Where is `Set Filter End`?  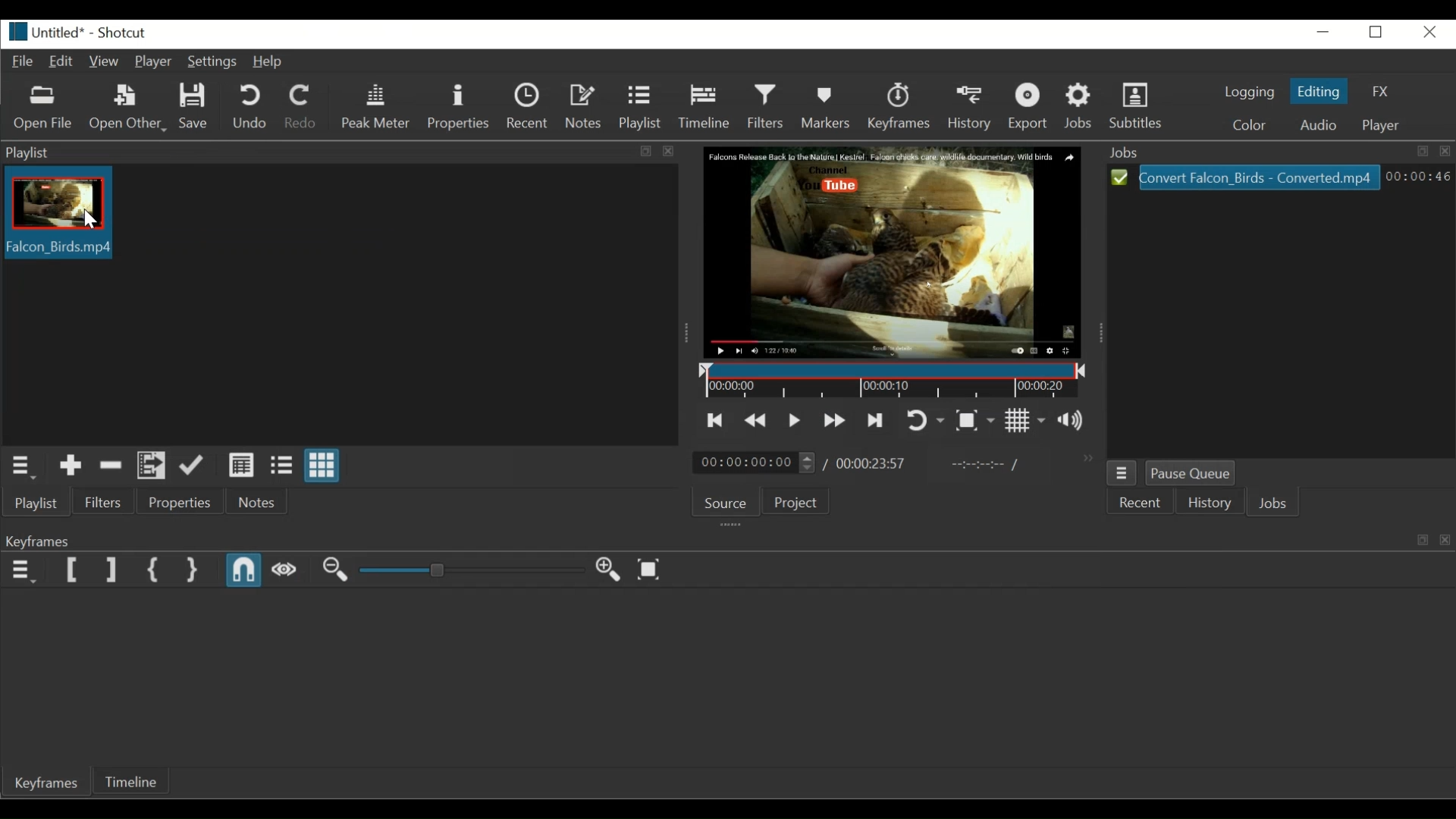 Set Filter End is located at coordinates (110, 570).